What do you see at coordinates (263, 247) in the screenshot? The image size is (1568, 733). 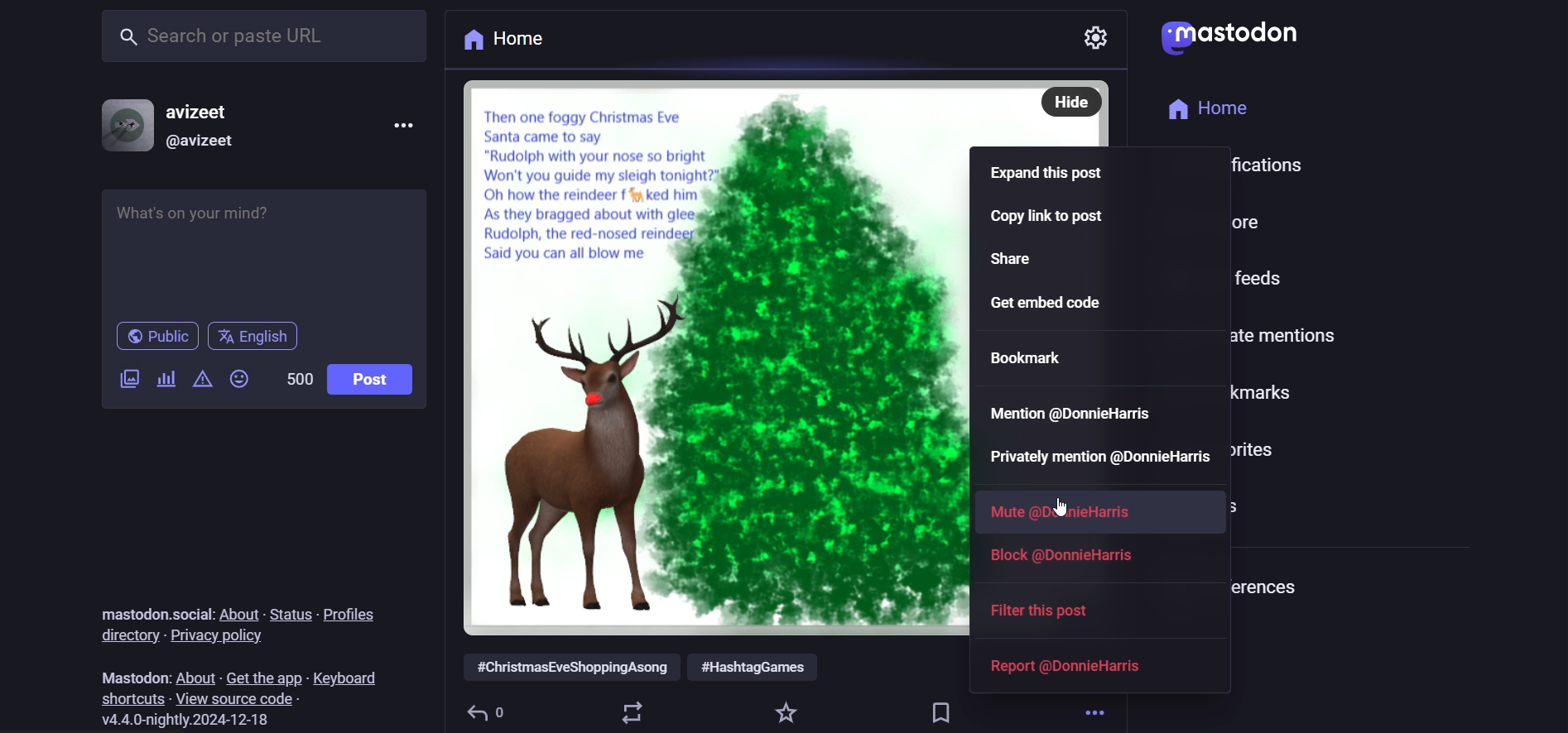 I see `post here` at bounding box center [263, 247].